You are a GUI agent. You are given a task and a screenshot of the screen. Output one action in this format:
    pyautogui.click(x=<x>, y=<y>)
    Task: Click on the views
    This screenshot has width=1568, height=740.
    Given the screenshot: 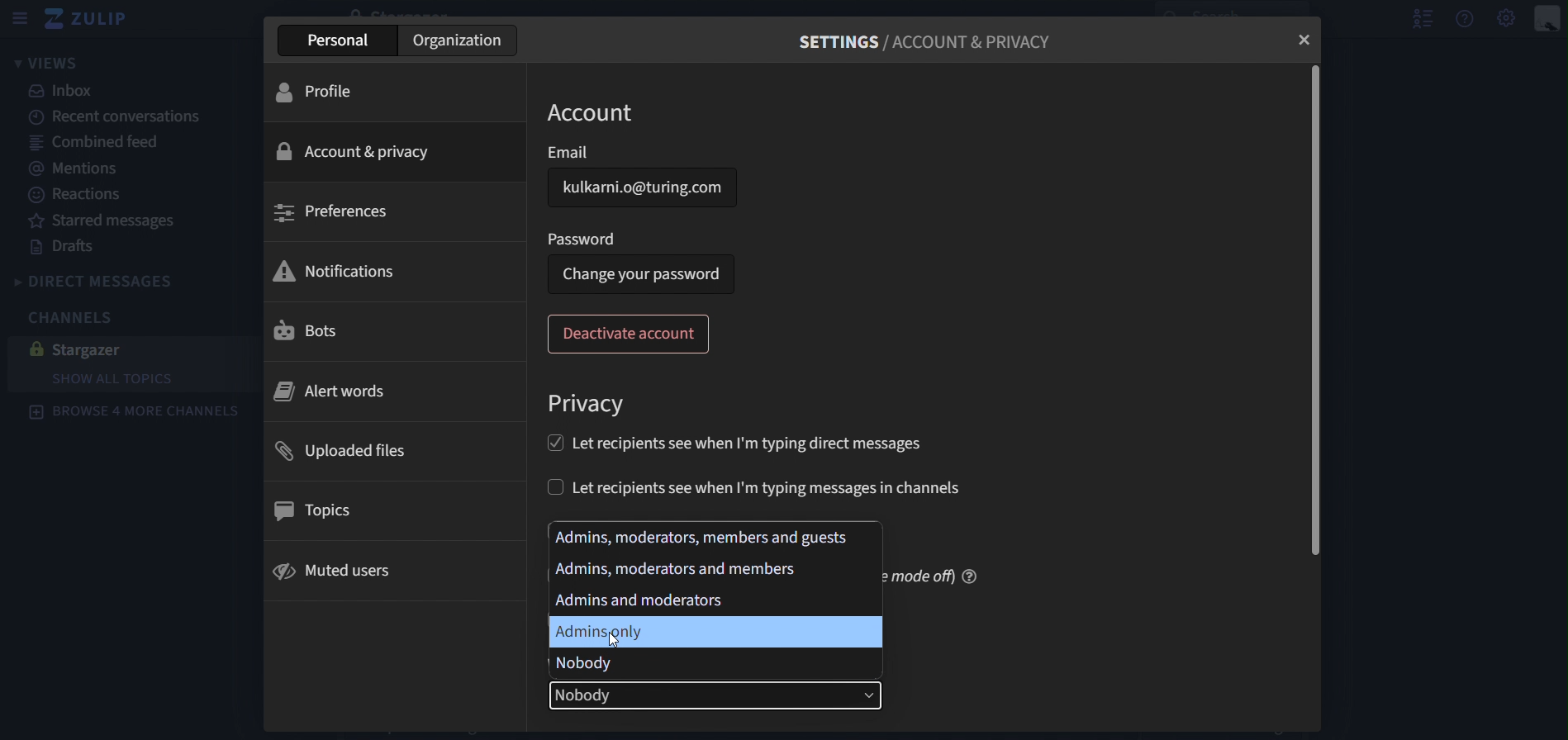 What is the action you would take?
    pyautogui.click(x=46, y=64)
    